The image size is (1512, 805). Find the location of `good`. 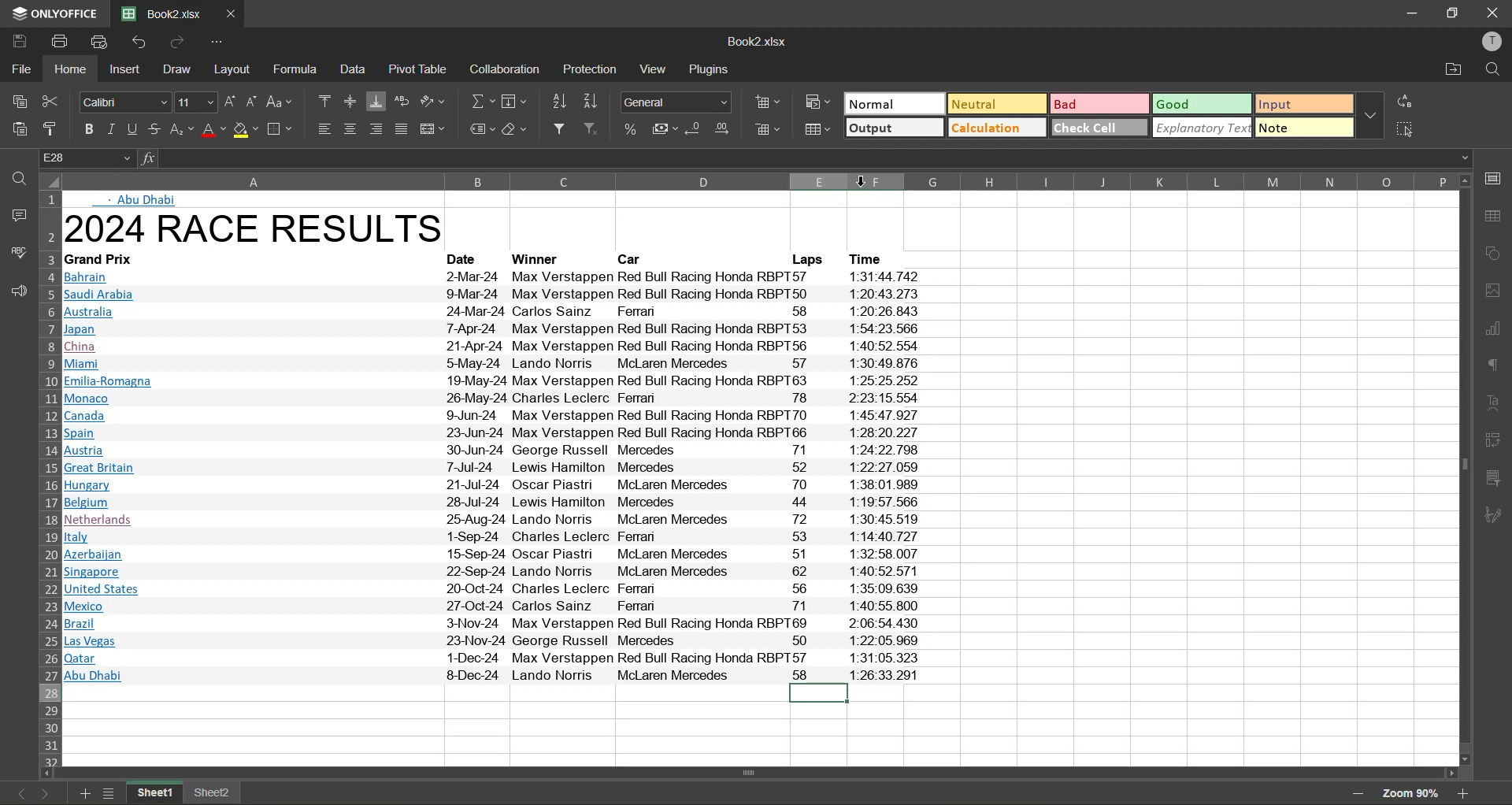

good is located at coordinates (1200, 105).